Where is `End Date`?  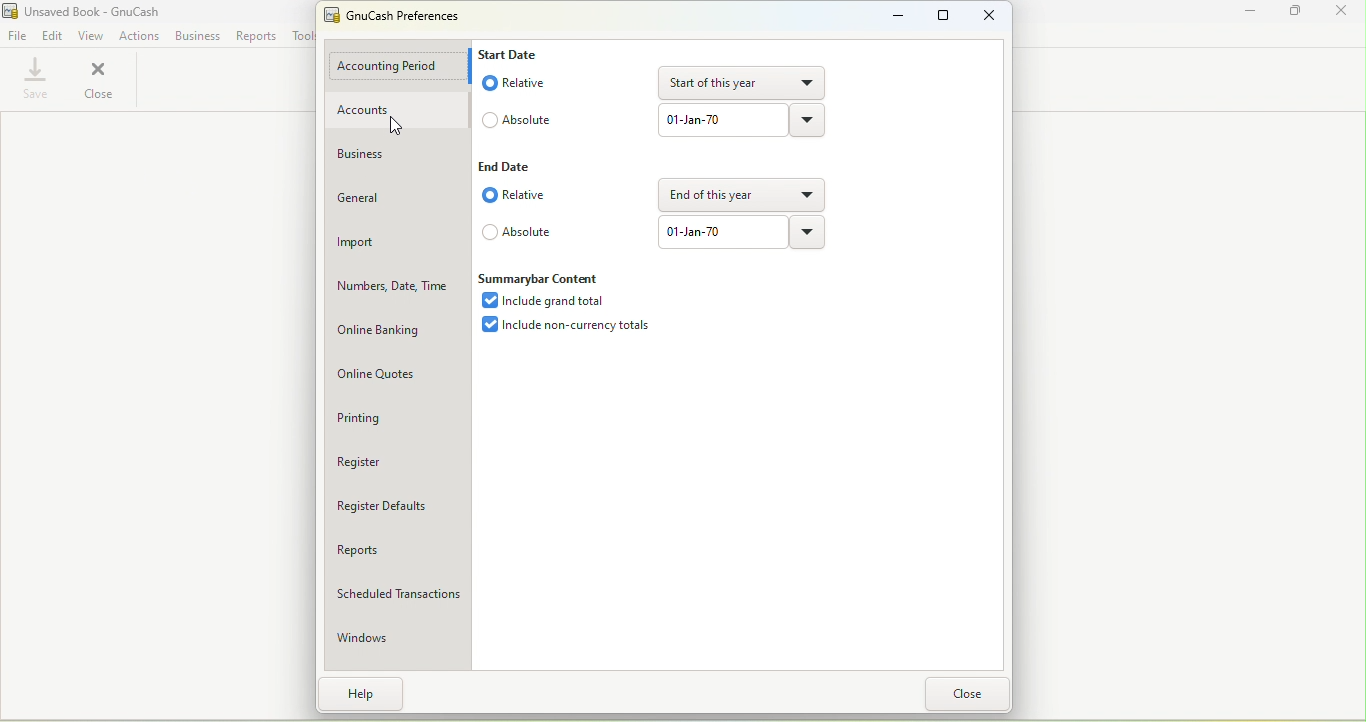
End Date is located at coordinates (514, 167).